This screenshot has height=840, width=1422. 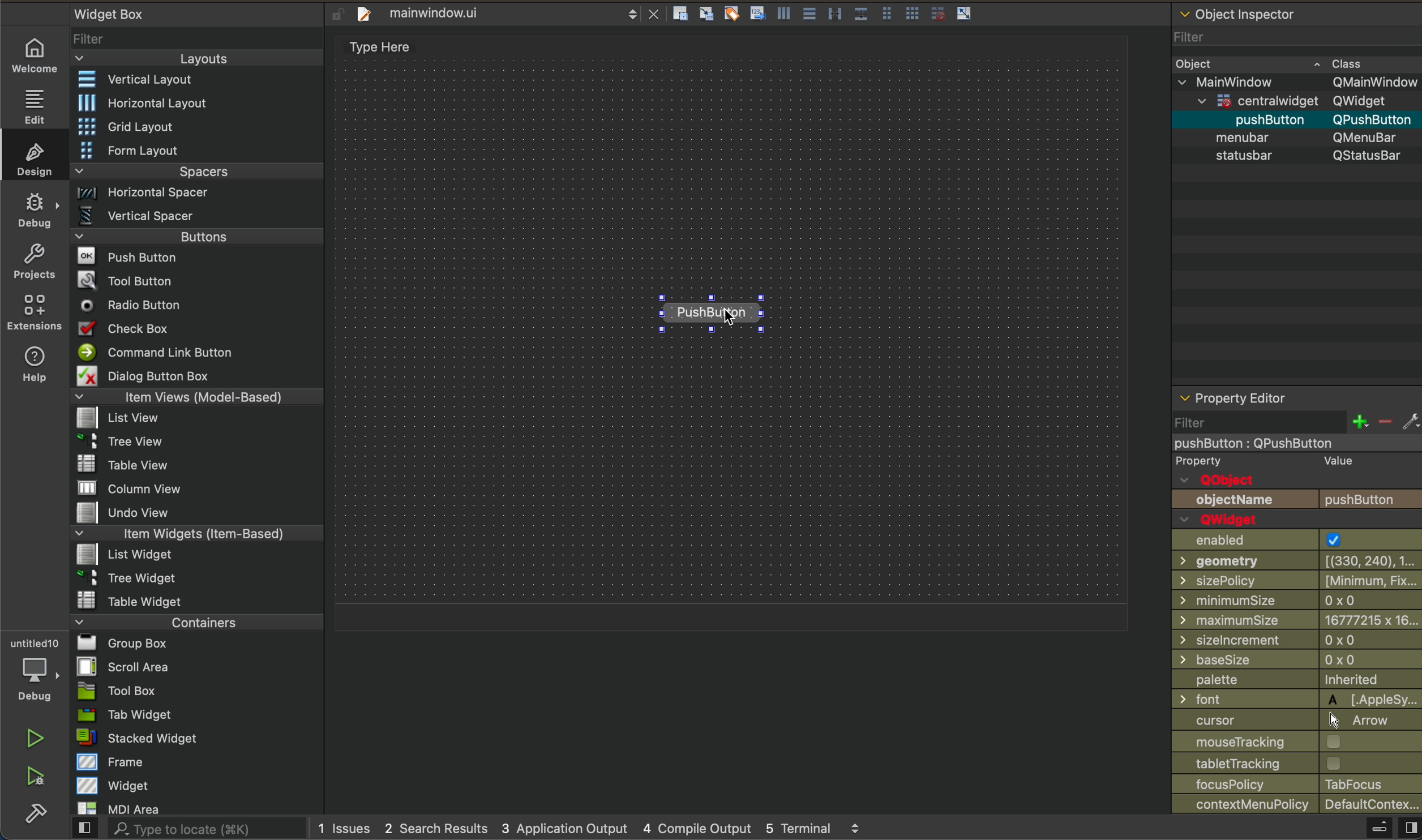 What do you see at coordinates (1268, 461) in the screenshot?
I see `Property Value` at bounding box center [1268, 461].